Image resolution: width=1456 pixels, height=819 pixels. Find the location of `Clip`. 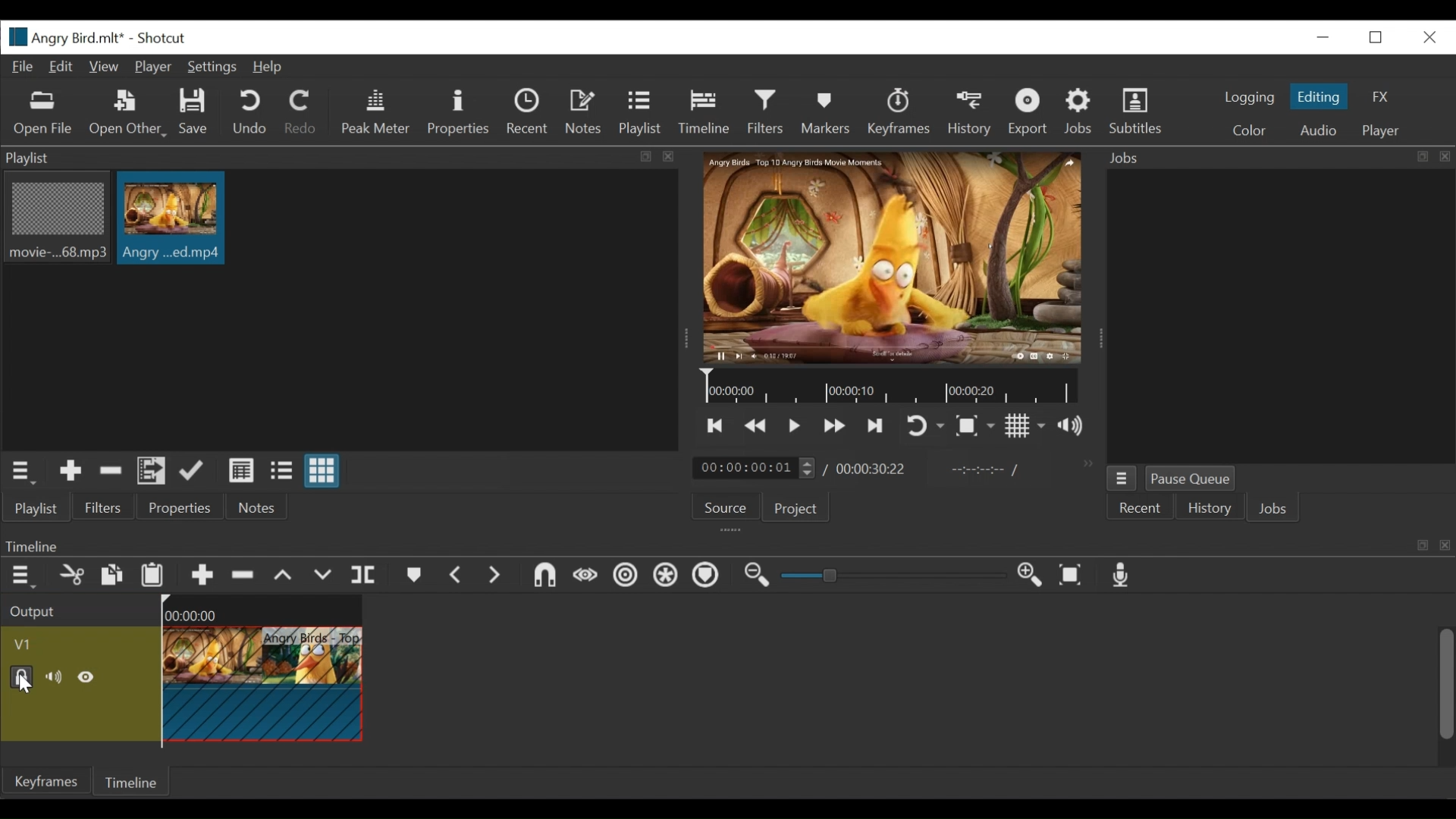

Clip is located at coordinates (263, 683).